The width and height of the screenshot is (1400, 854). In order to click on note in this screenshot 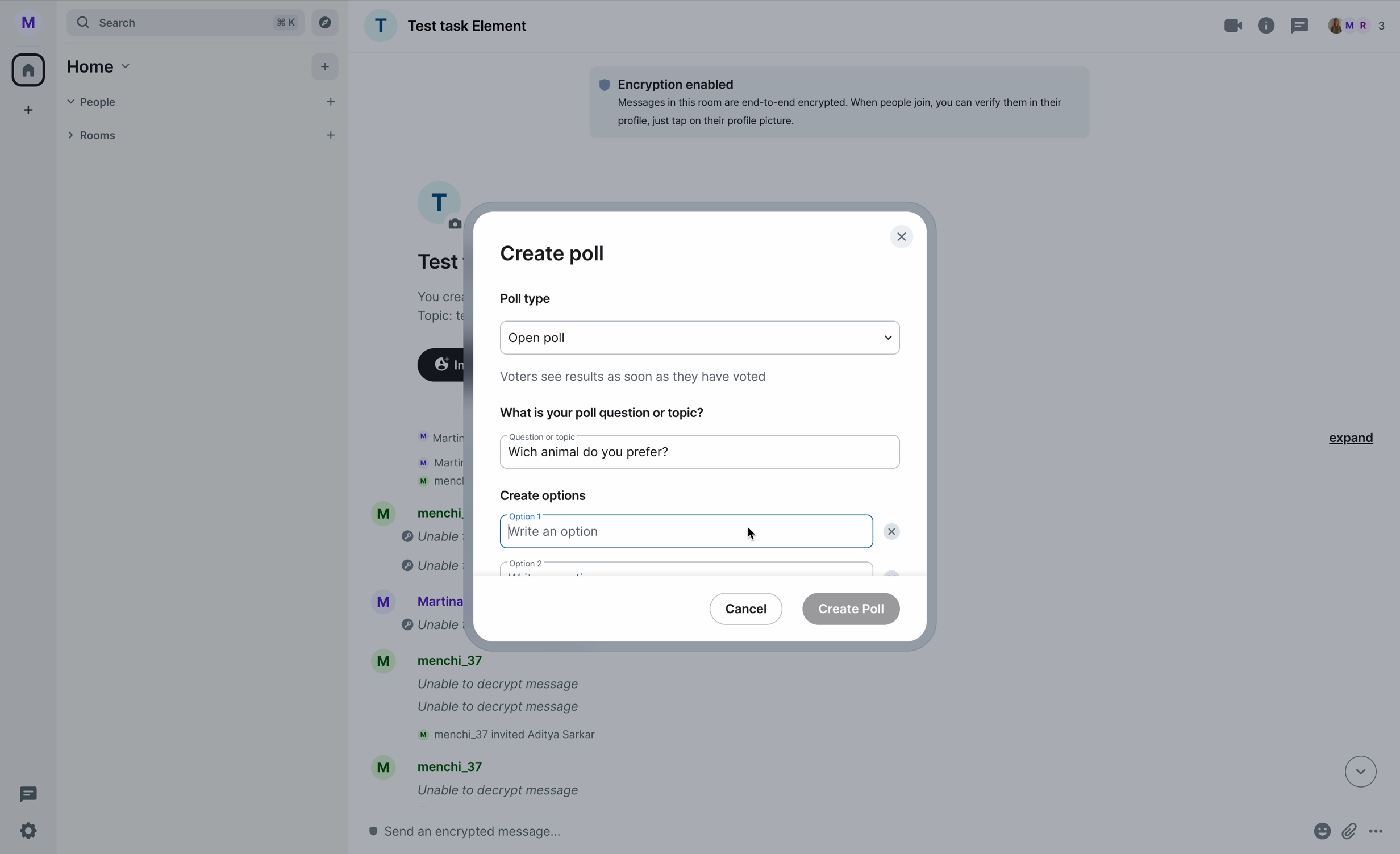, I will do `click(637, 375)`.